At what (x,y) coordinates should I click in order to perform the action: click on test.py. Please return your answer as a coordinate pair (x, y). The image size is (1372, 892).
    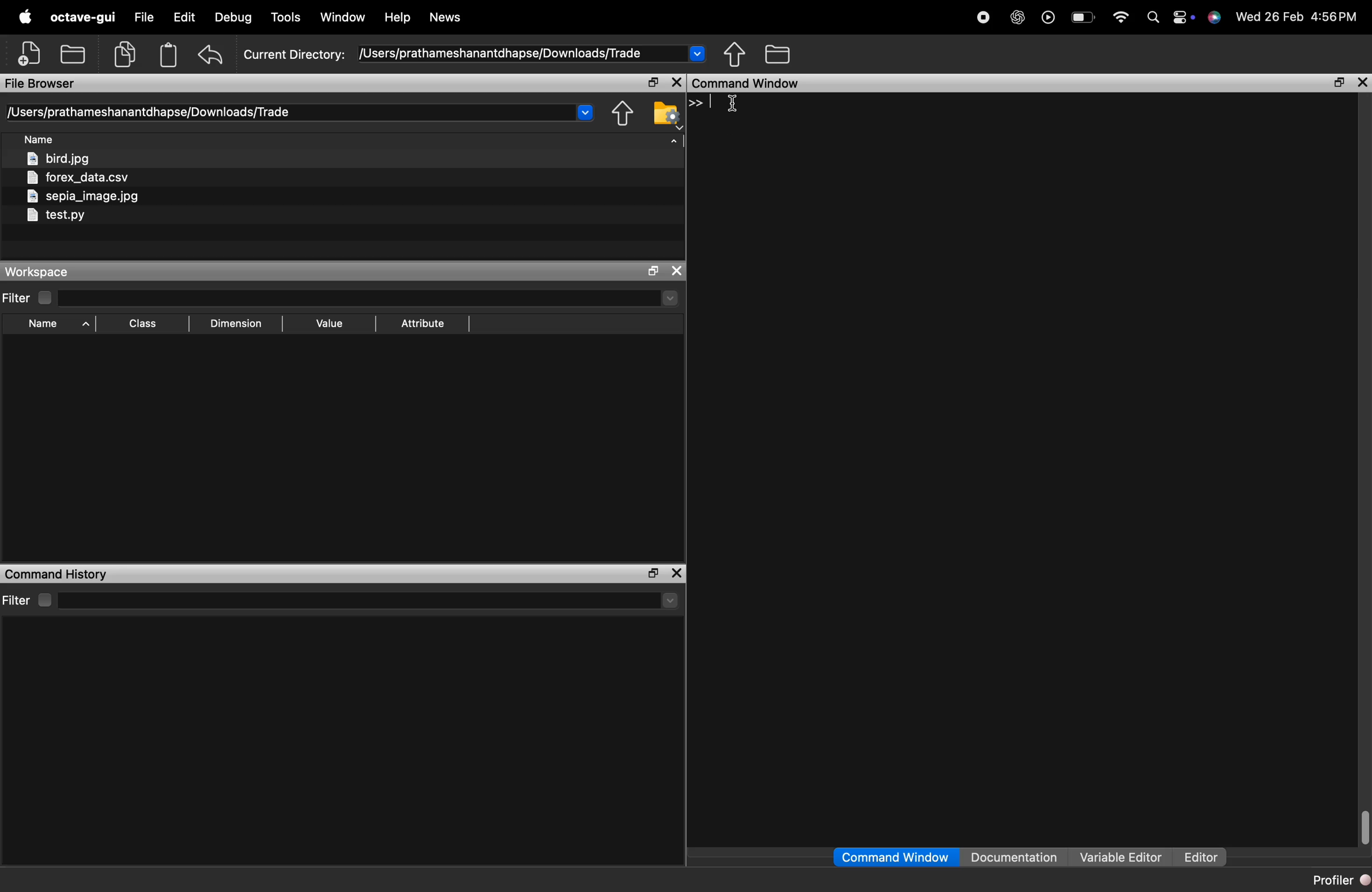
    Looking at the image, I should click on (56, 216).